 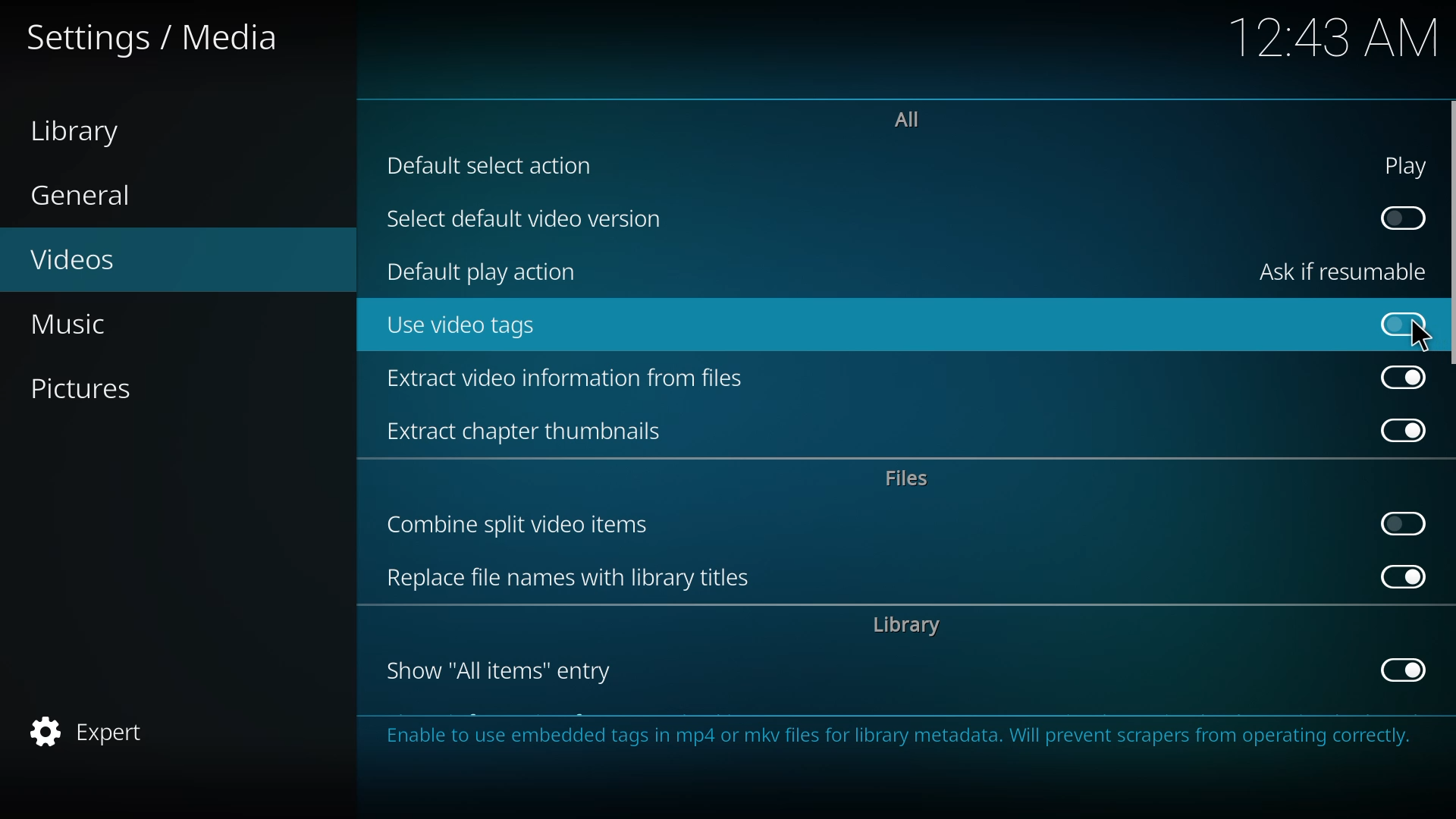 What do you see at coordinates (1336, 37) in the screenshot?
I see `time` at bounding box center [1336, 37].